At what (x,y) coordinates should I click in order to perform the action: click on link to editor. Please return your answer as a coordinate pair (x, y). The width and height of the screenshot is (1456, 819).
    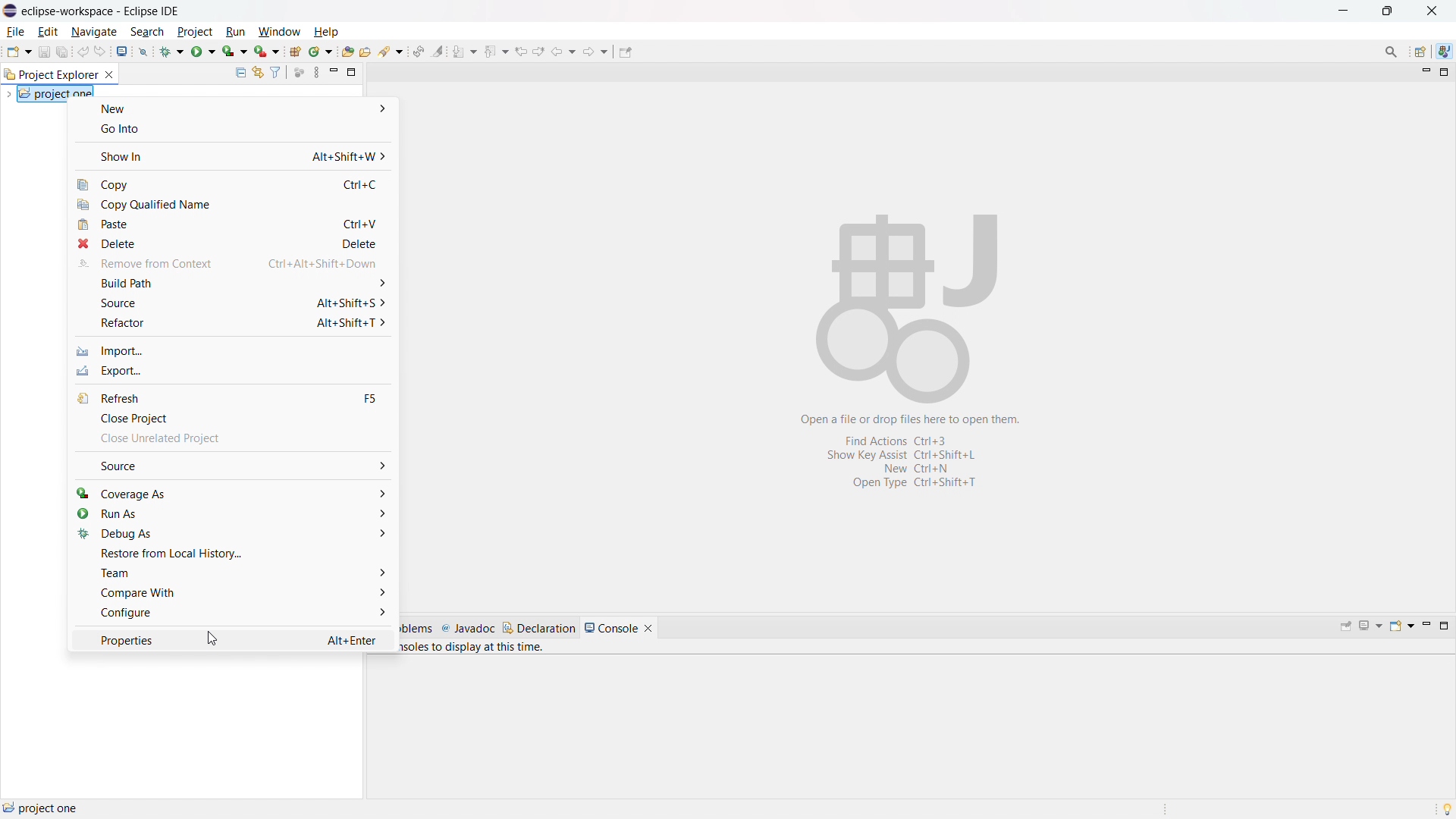
    Looking at the image, I should click on (256, 73).